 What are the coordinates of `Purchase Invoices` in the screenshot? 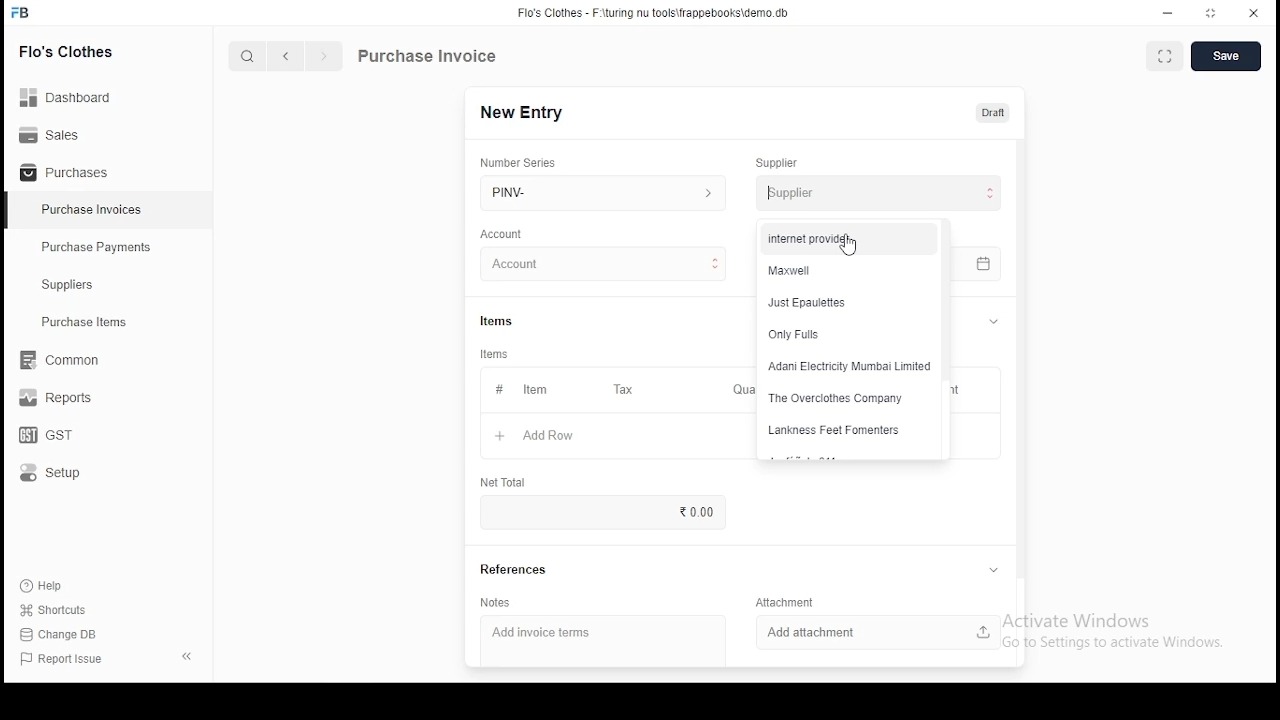 It's located at (95, 210).